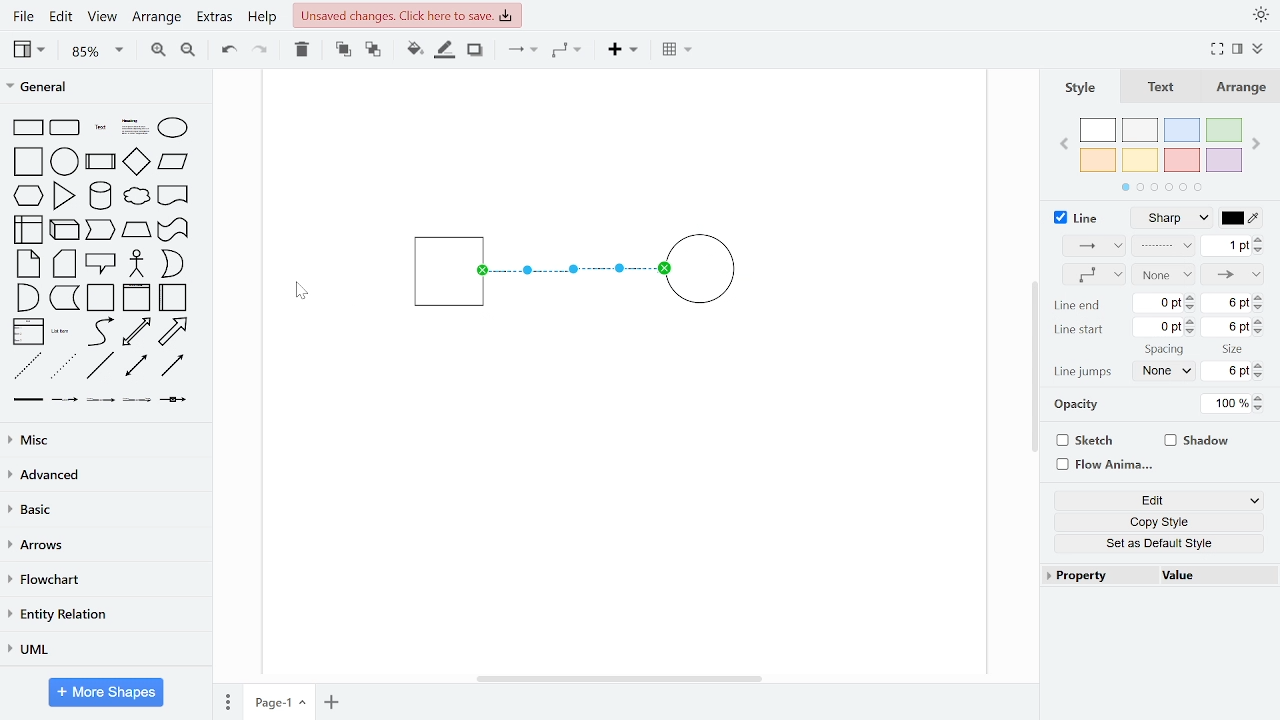  Describe the element at coordinates (572, 50) in the screenshot. I see `waypoints` at that location.